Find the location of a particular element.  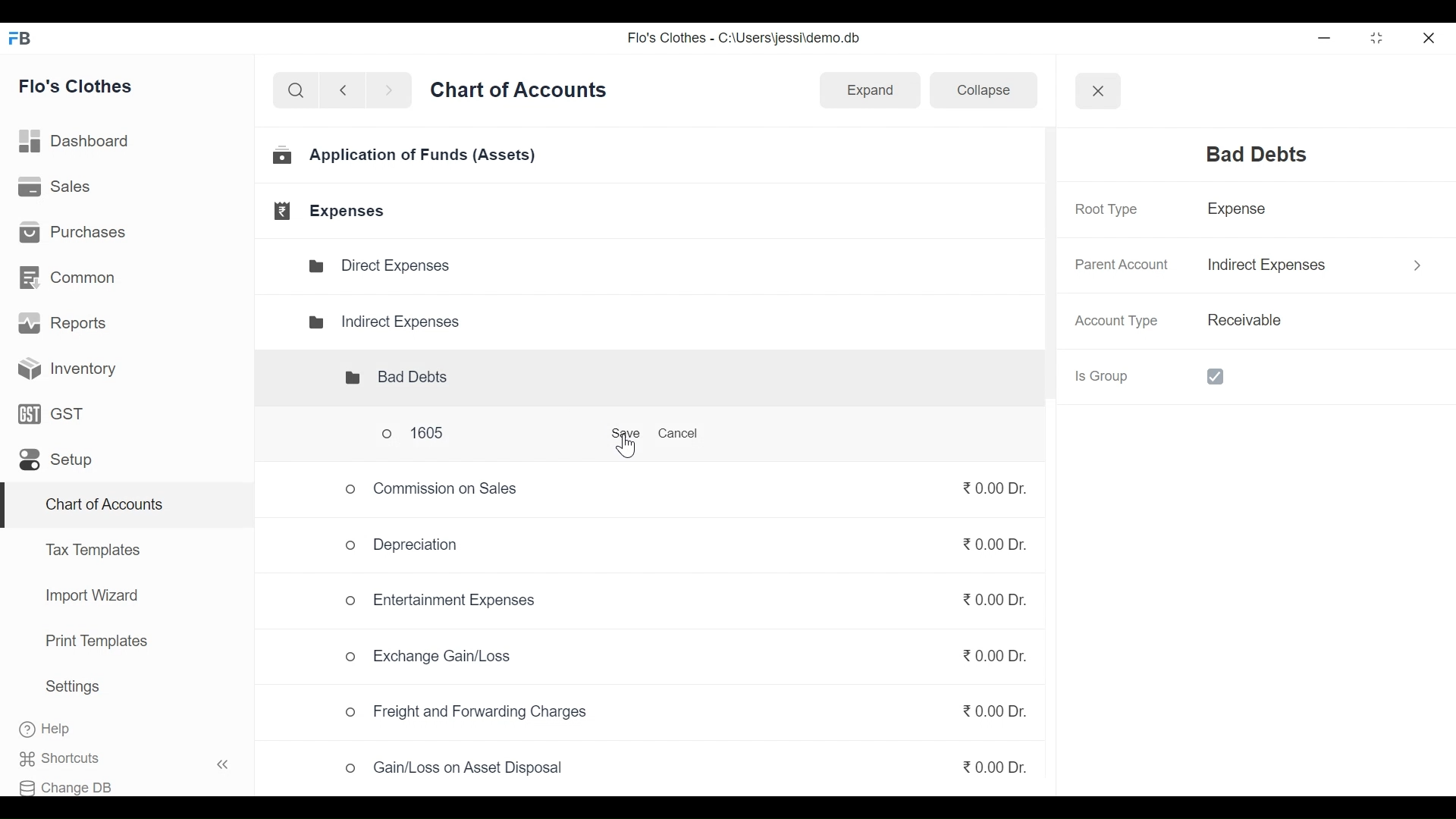

Expand is located at coordinates (869, 89).